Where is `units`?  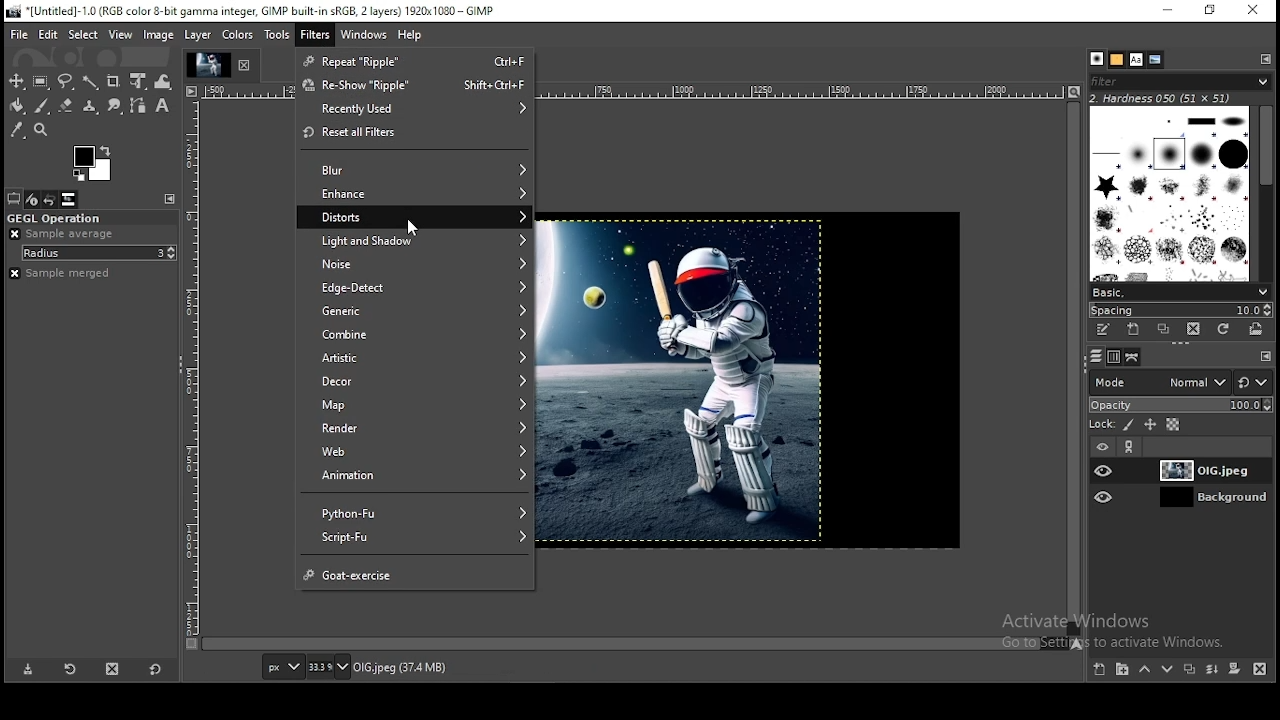 units is located at coordinates (283, 668).